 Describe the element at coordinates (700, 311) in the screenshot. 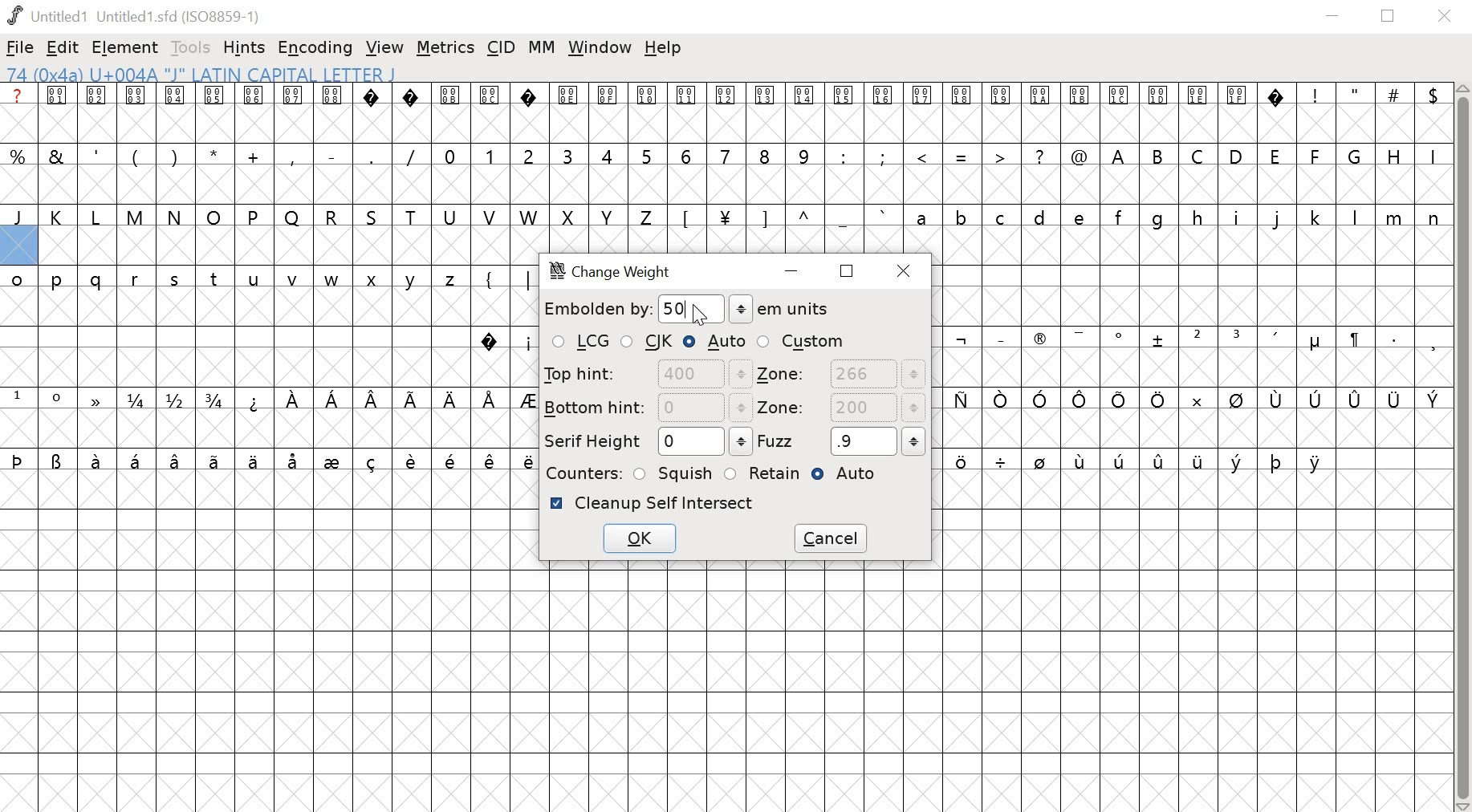

I see `Cursor` at that location.